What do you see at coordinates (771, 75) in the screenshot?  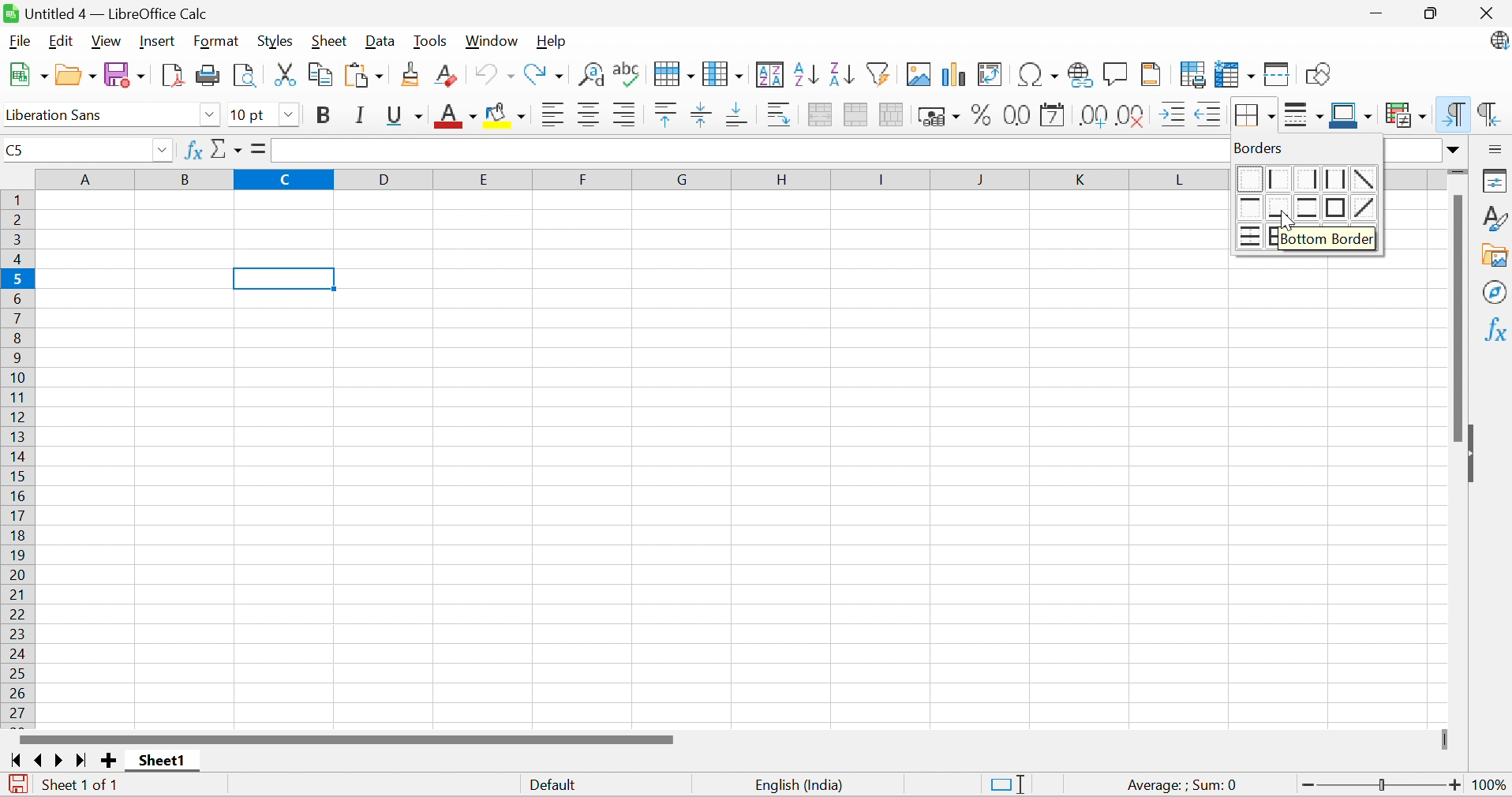 I see `Sort` at bounding box center [771, 75].